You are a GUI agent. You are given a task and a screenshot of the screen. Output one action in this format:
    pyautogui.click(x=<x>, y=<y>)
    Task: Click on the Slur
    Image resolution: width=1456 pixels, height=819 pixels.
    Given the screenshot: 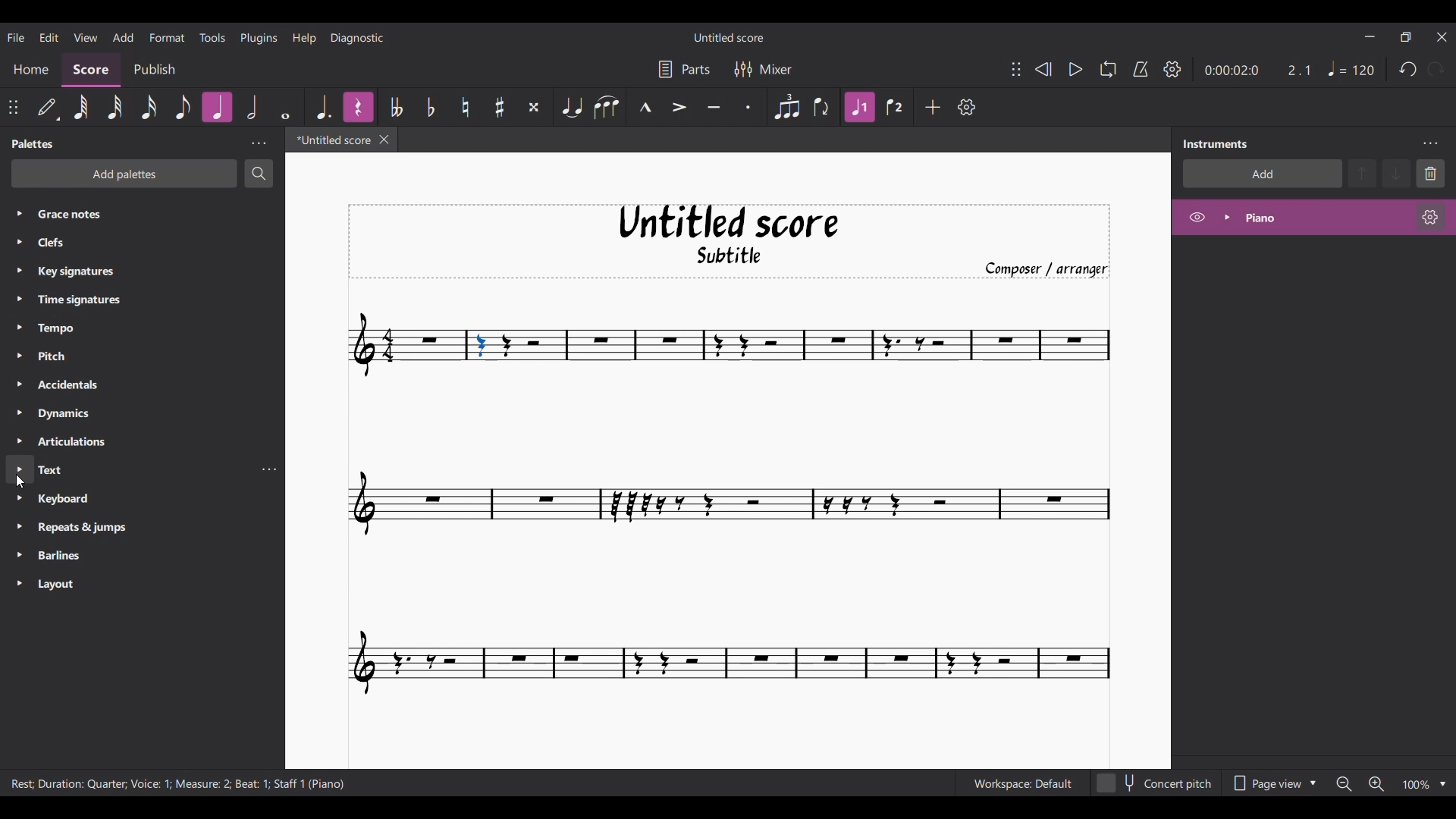 What is the action you would take?
    pyautogui.click(x=607, y=107)
    